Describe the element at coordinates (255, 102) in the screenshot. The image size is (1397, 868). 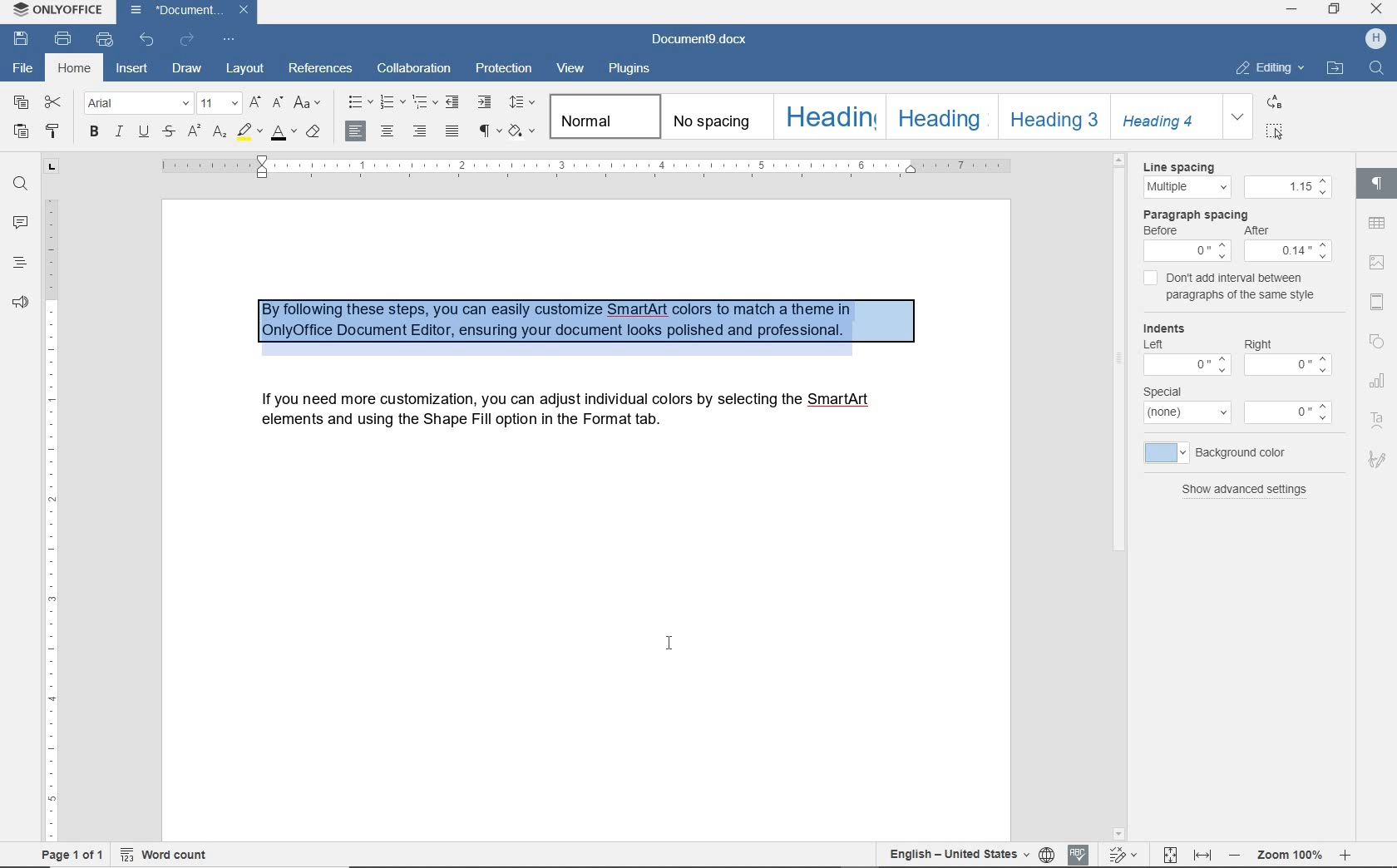
I see `increment font size` at that location.